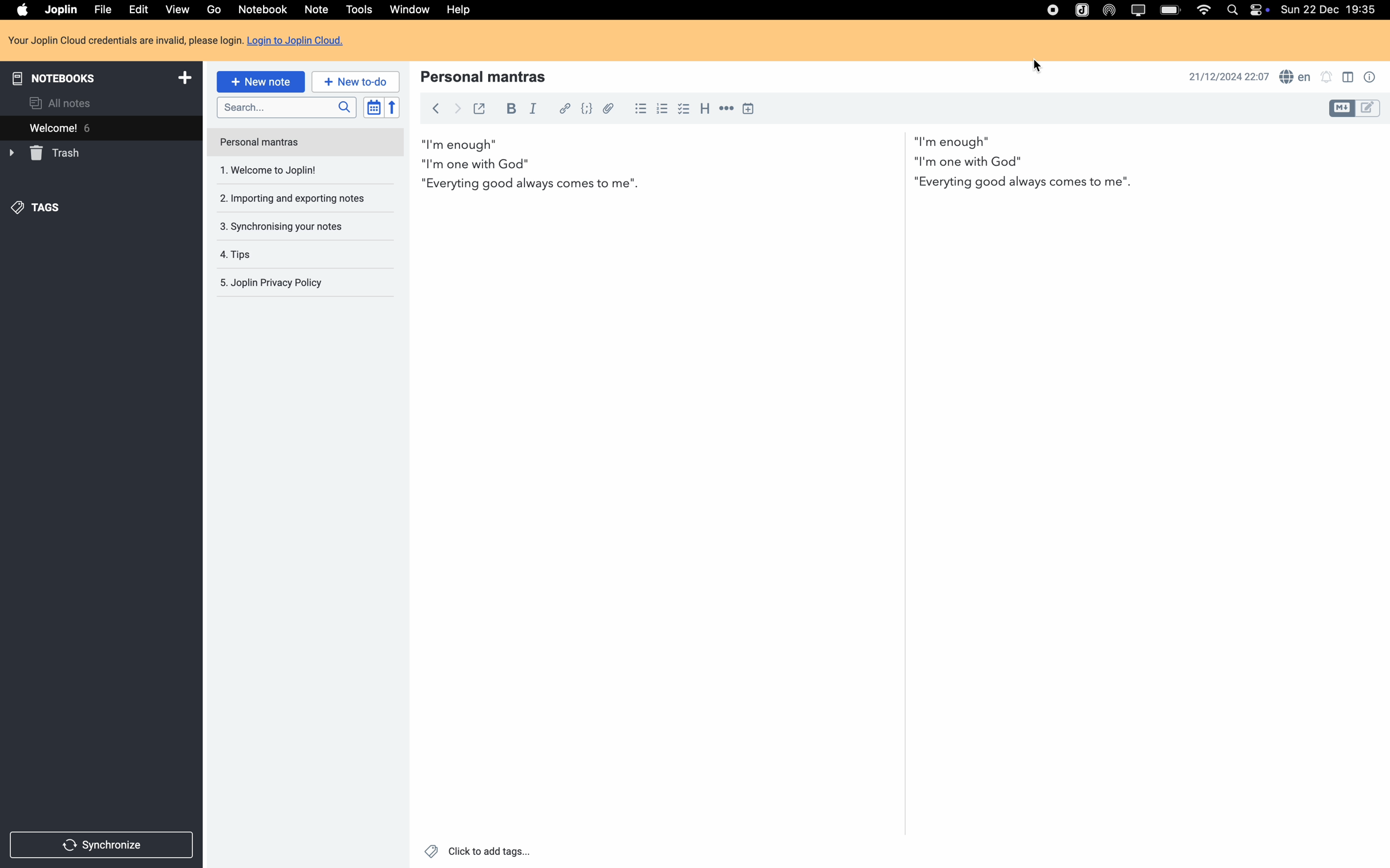 This screenshot has width=1390, height=868. Describe the element at coordinates (1328, 76) in the screenshot. I see `set notifications` at that location.